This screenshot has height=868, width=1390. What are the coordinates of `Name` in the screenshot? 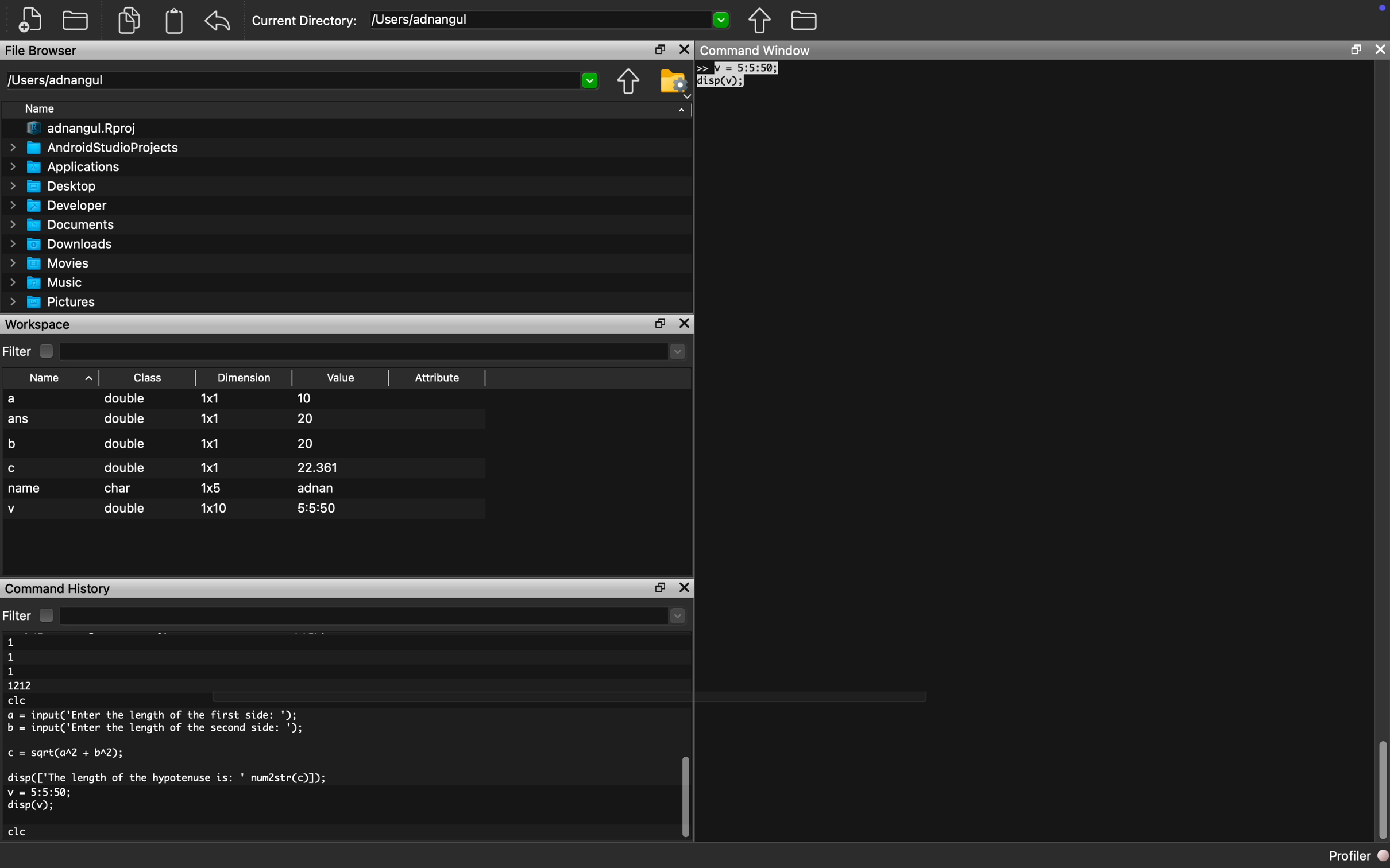 It's located at (39, 108).